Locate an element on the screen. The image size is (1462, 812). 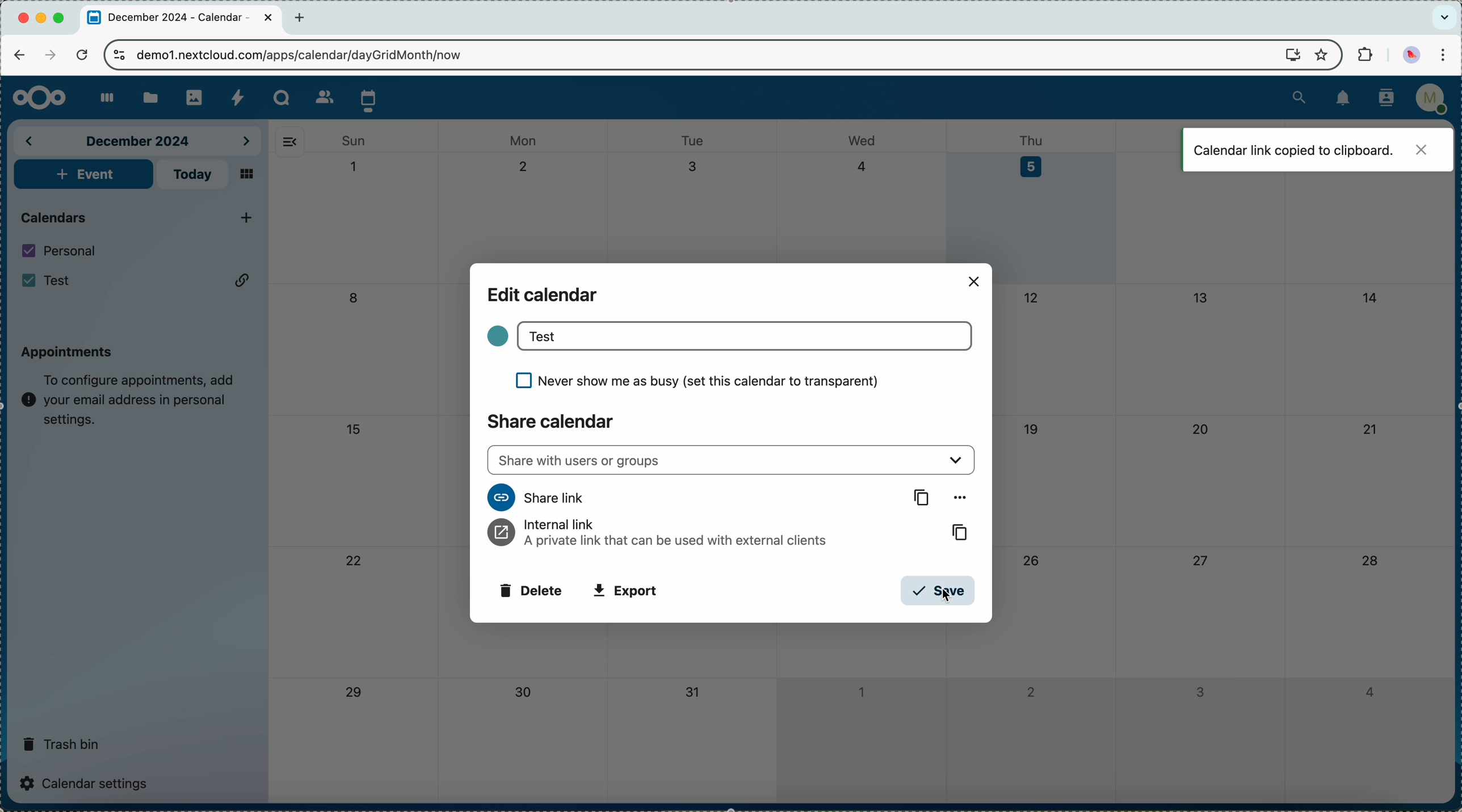
14 is located at coordinates (1374, 296).